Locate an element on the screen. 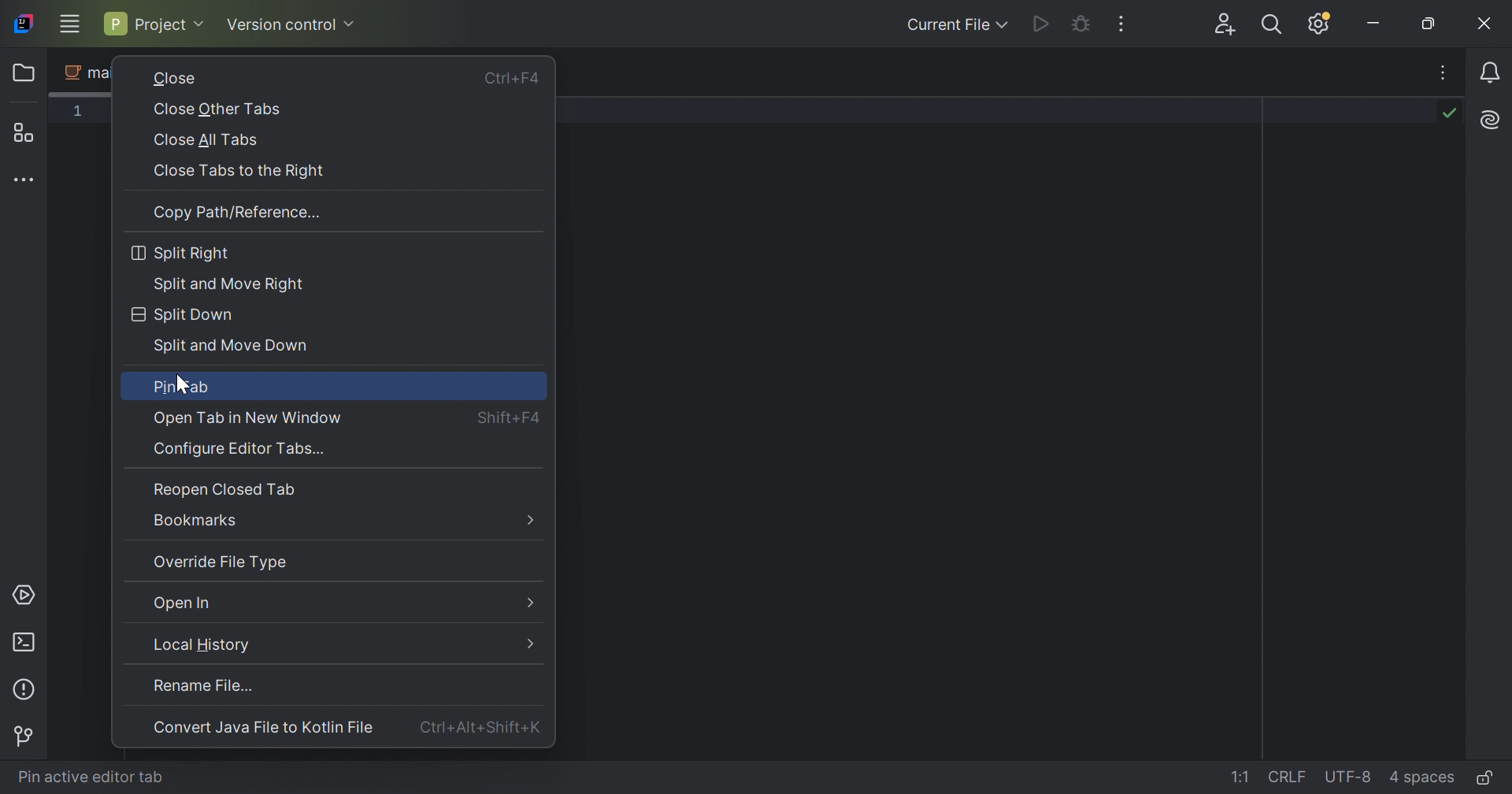 Image resolution: width=1512 pixels, height=794 pixels. close is located at coordinates (174, 77).